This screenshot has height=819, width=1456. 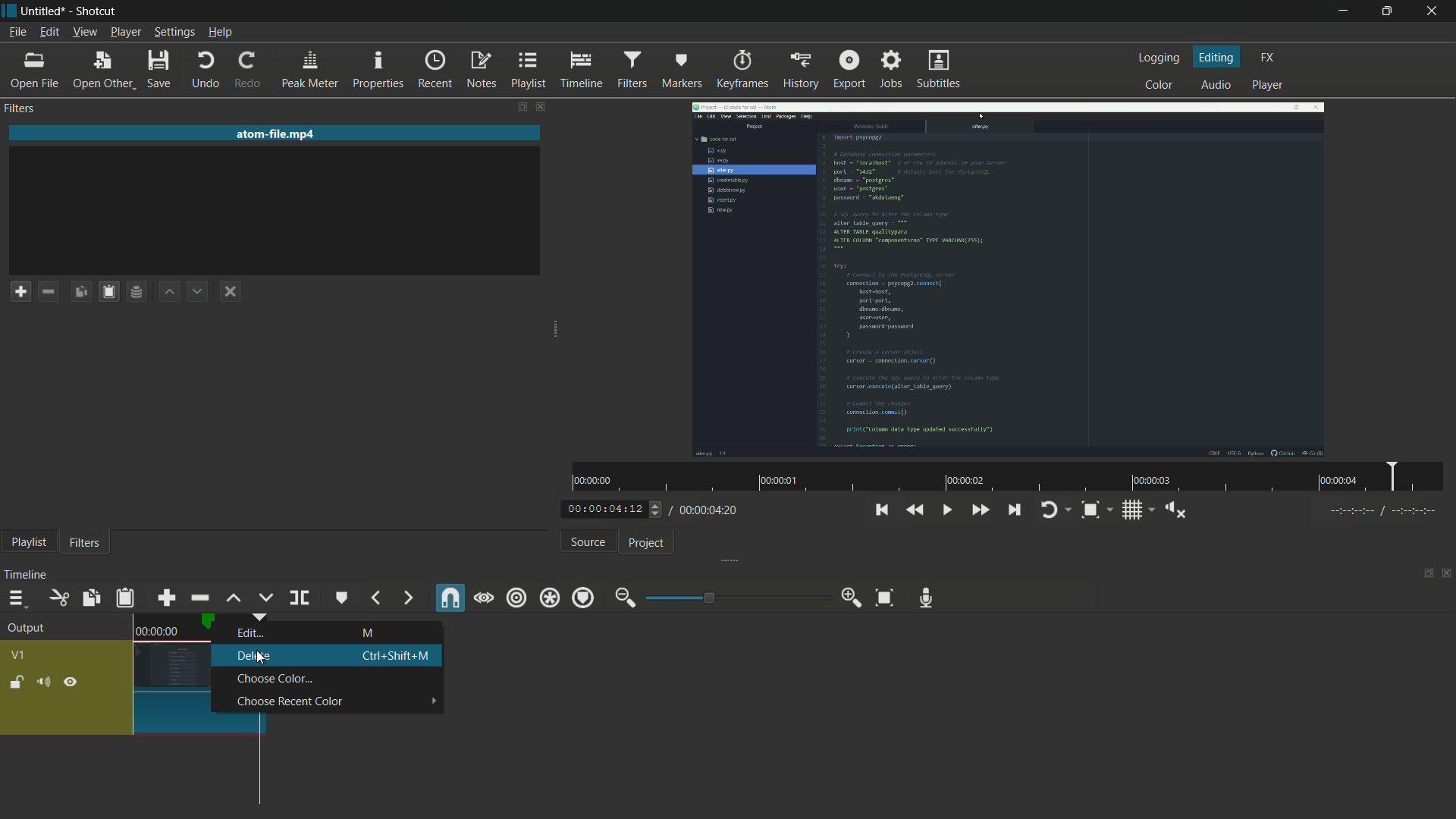 I want to click on skip to the next point, so click(x=1014, y=510).